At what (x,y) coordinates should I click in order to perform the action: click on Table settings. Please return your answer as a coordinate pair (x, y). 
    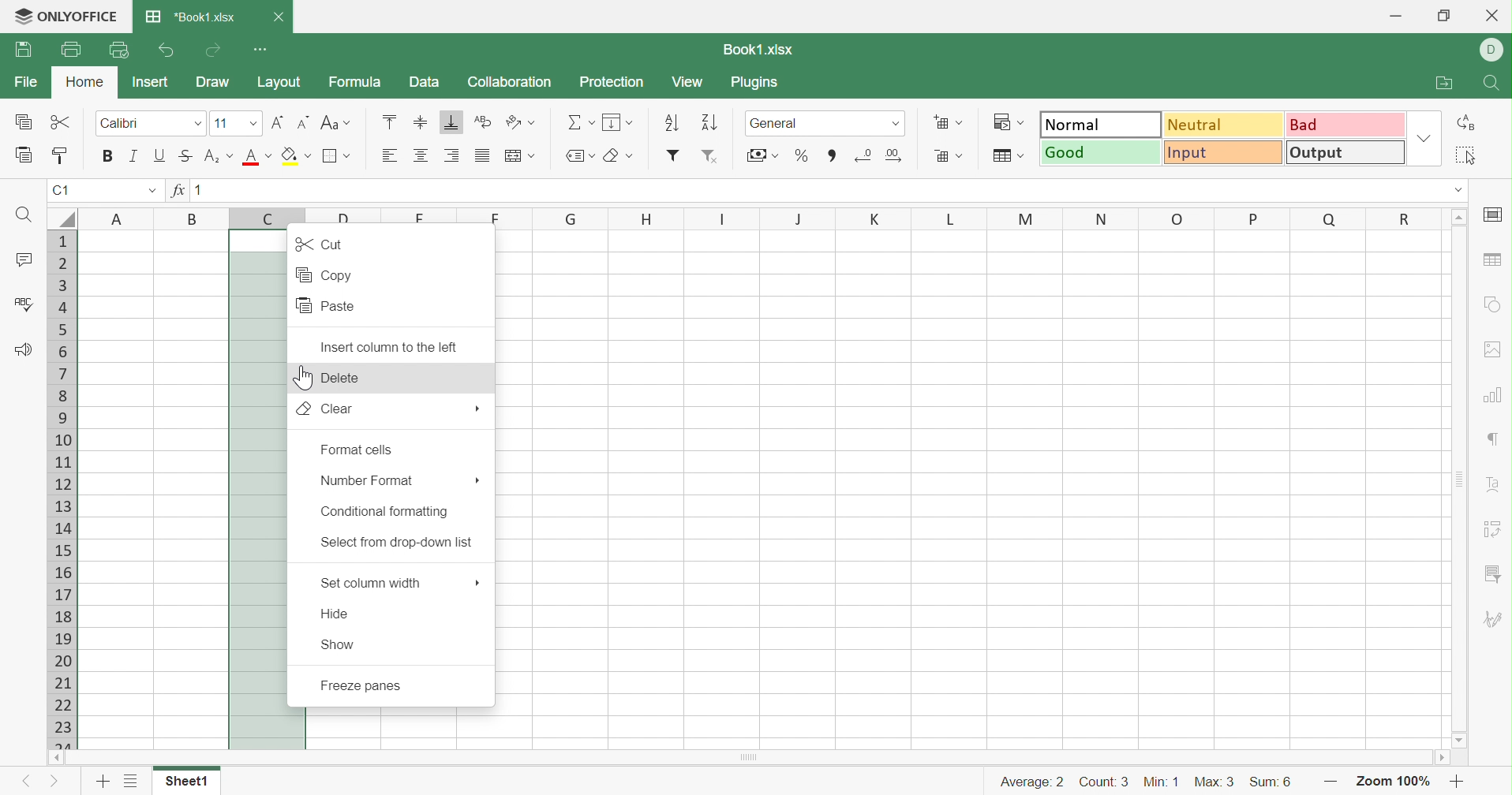
    Looking at the image, I should click on (1495, 259).